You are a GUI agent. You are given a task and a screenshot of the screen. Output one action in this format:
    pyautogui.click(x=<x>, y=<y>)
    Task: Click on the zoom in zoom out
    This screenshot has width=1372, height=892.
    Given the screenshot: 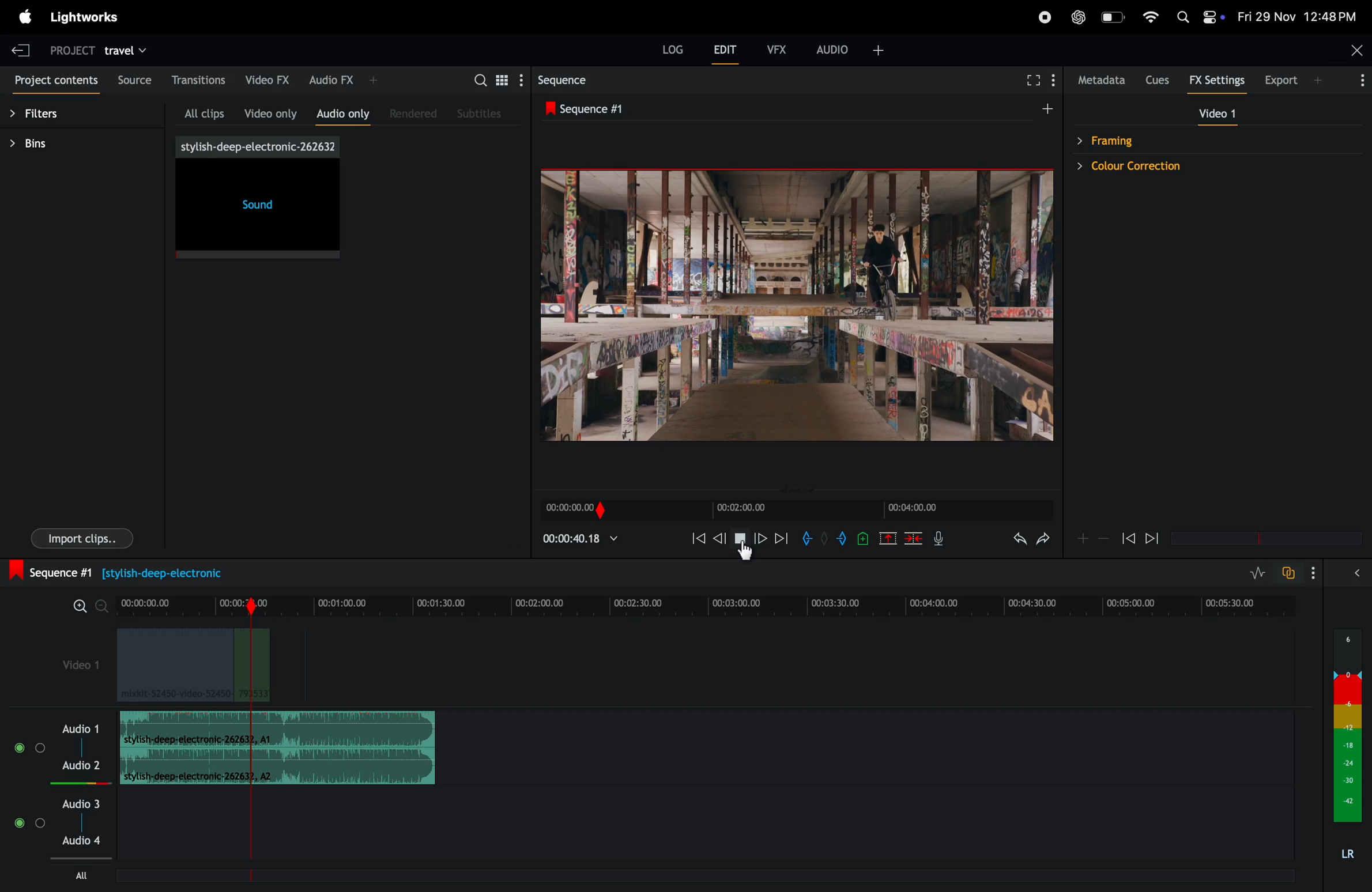 What is the action you would take?
    pyautogui.click(x=84, y=605)
    